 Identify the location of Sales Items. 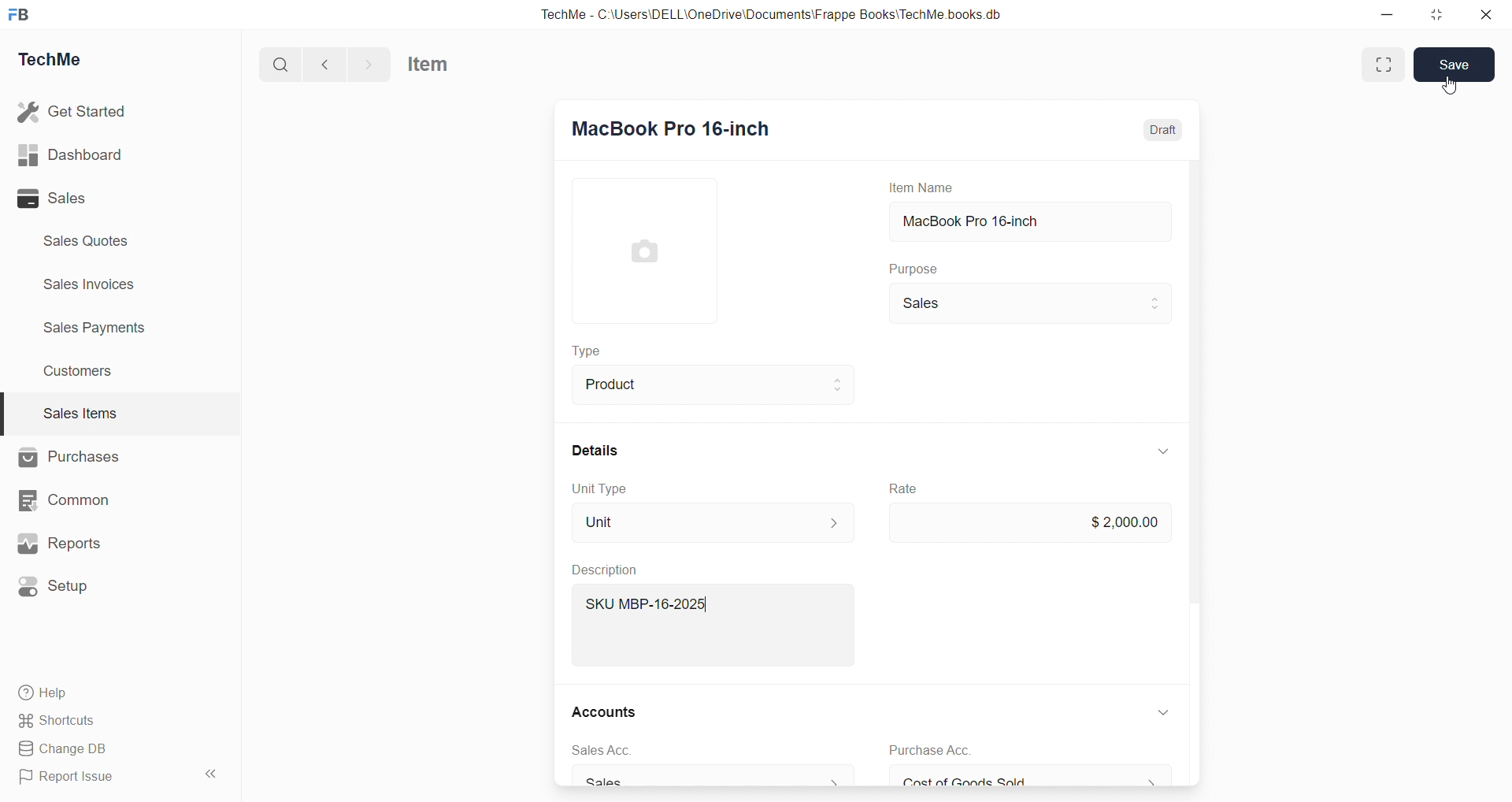
(80, 413).